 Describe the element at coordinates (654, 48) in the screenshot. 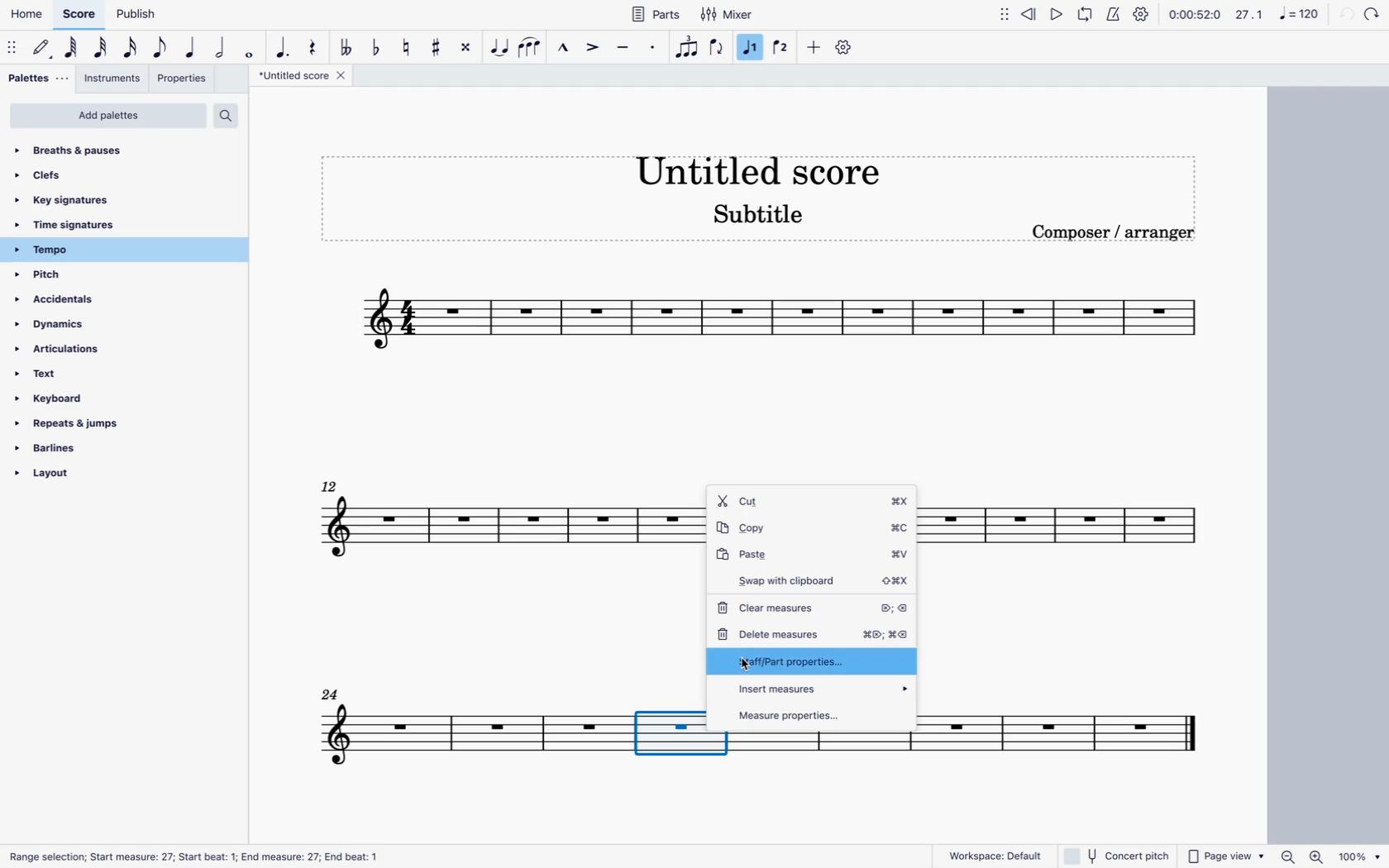

I see `staccato` at that location.